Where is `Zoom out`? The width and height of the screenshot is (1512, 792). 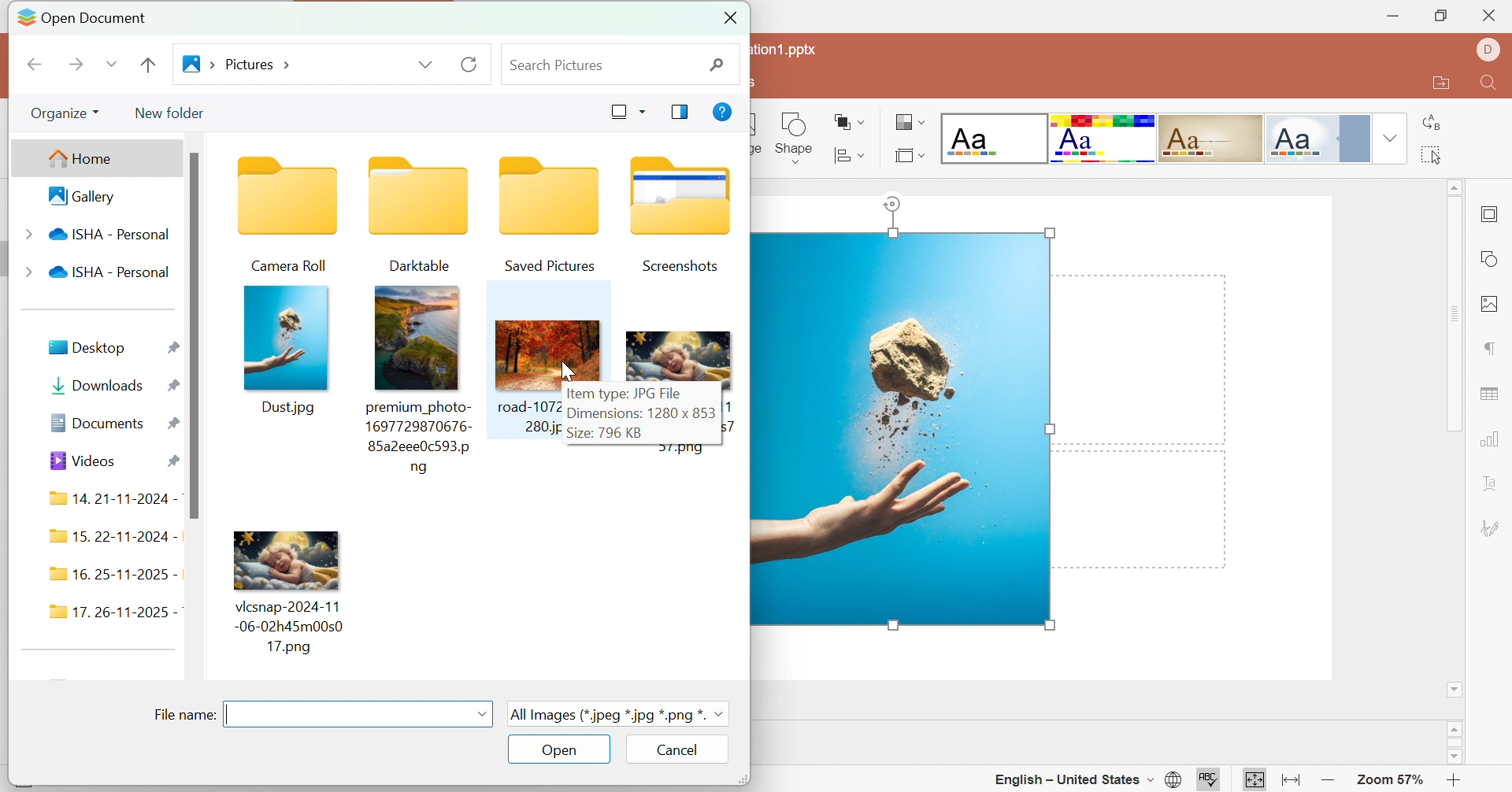 Zoom out is located at coordinates (1325, 782).